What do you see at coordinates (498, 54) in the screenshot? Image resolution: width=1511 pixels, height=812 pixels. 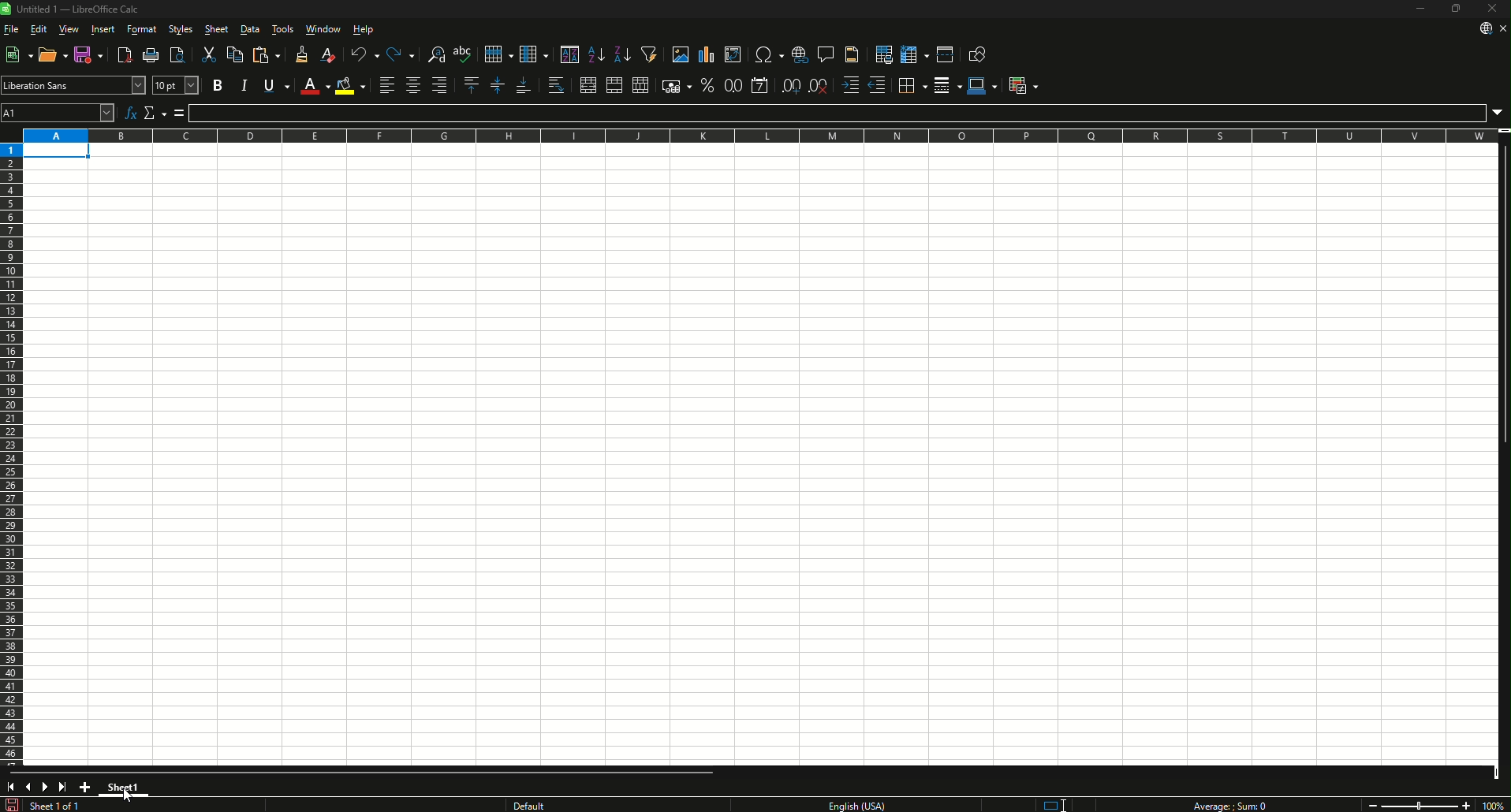 I see `Row` at bounding box center [498, 54].